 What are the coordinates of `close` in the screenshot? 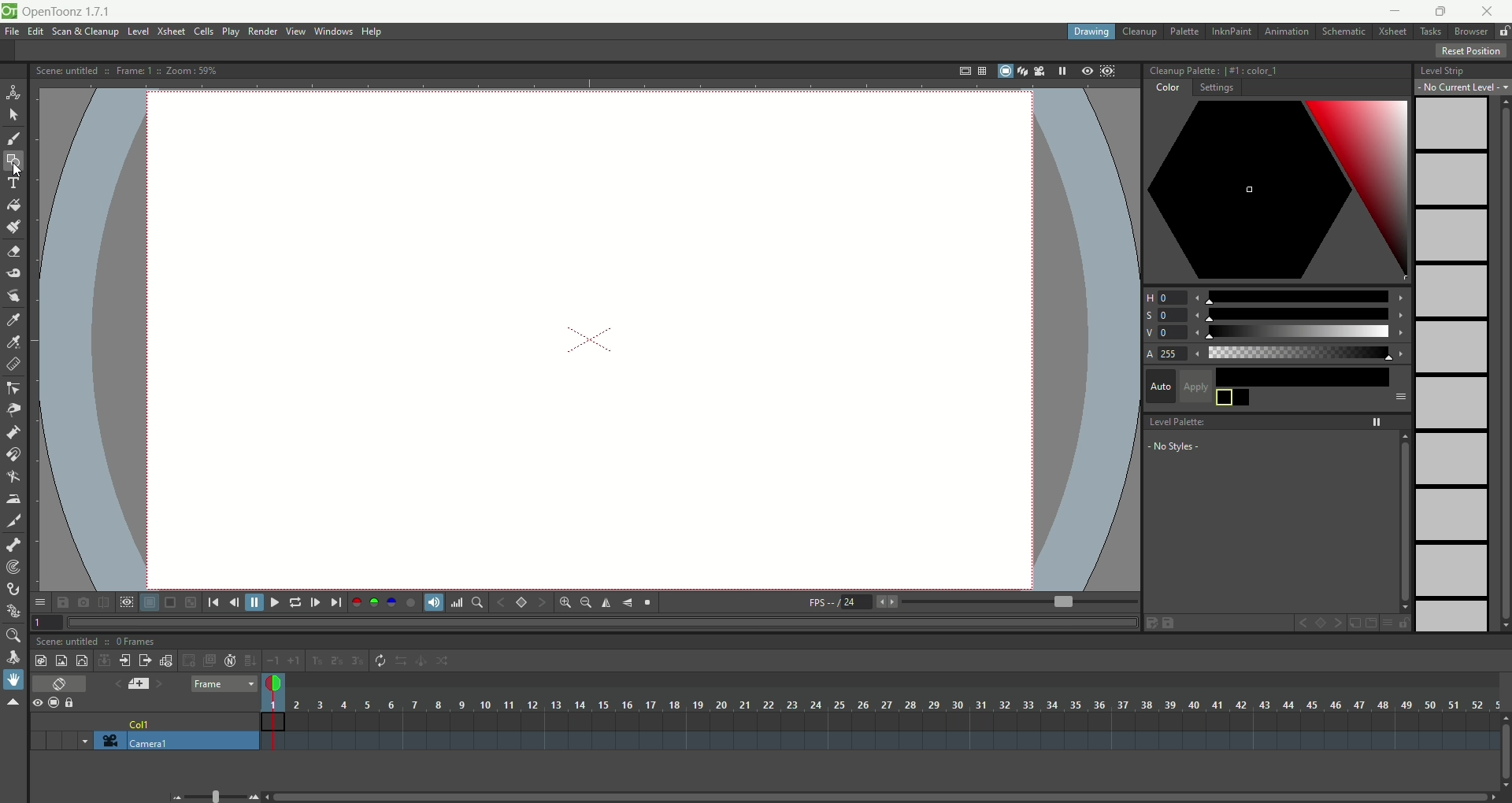 It's located at (1483, 13).